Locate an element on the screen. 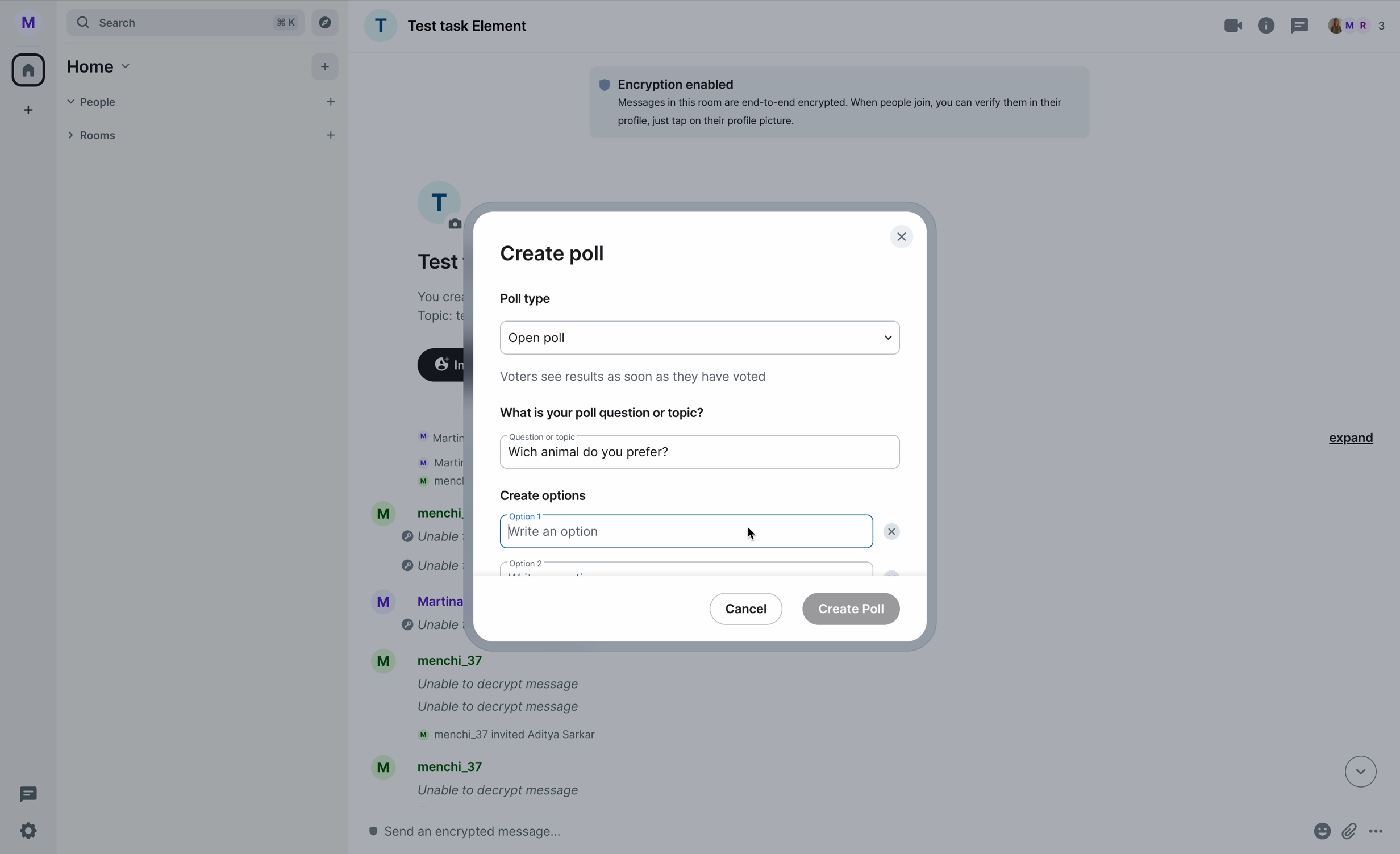 This screenshot has height=854, width=1400. which animal do you prefer is located at coordinates (618, 456).